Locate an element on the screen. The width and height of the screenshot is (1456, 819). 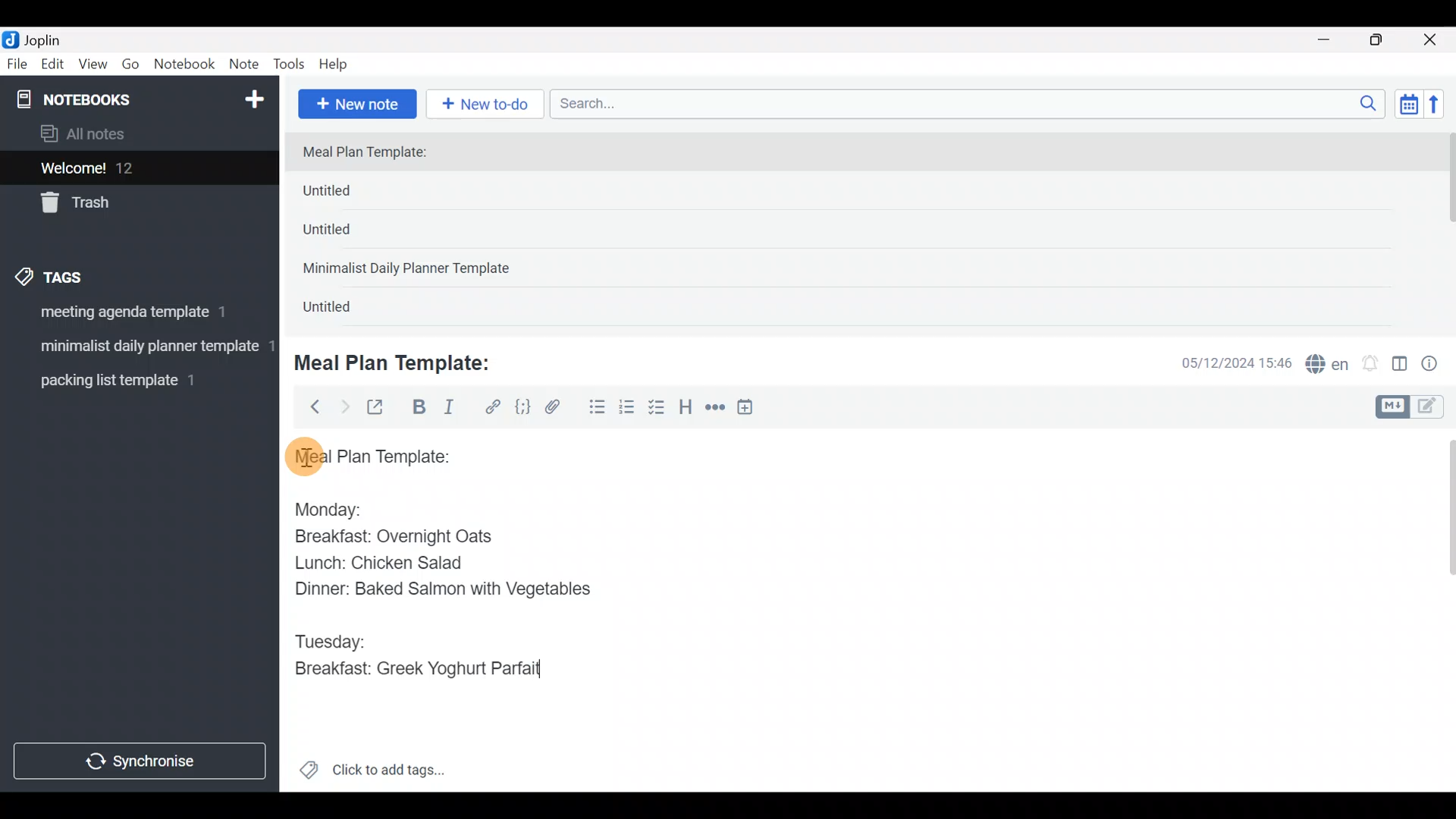
Tags is located at coordinates (85, 275).